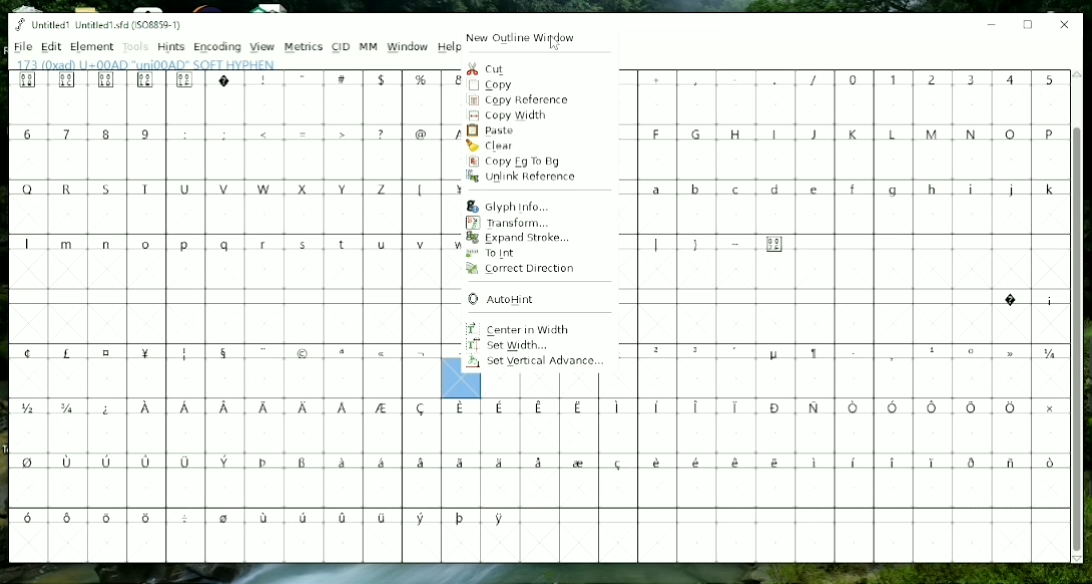 The image size is (1092, 584). I want to click on Encoding, so click(226, 47).